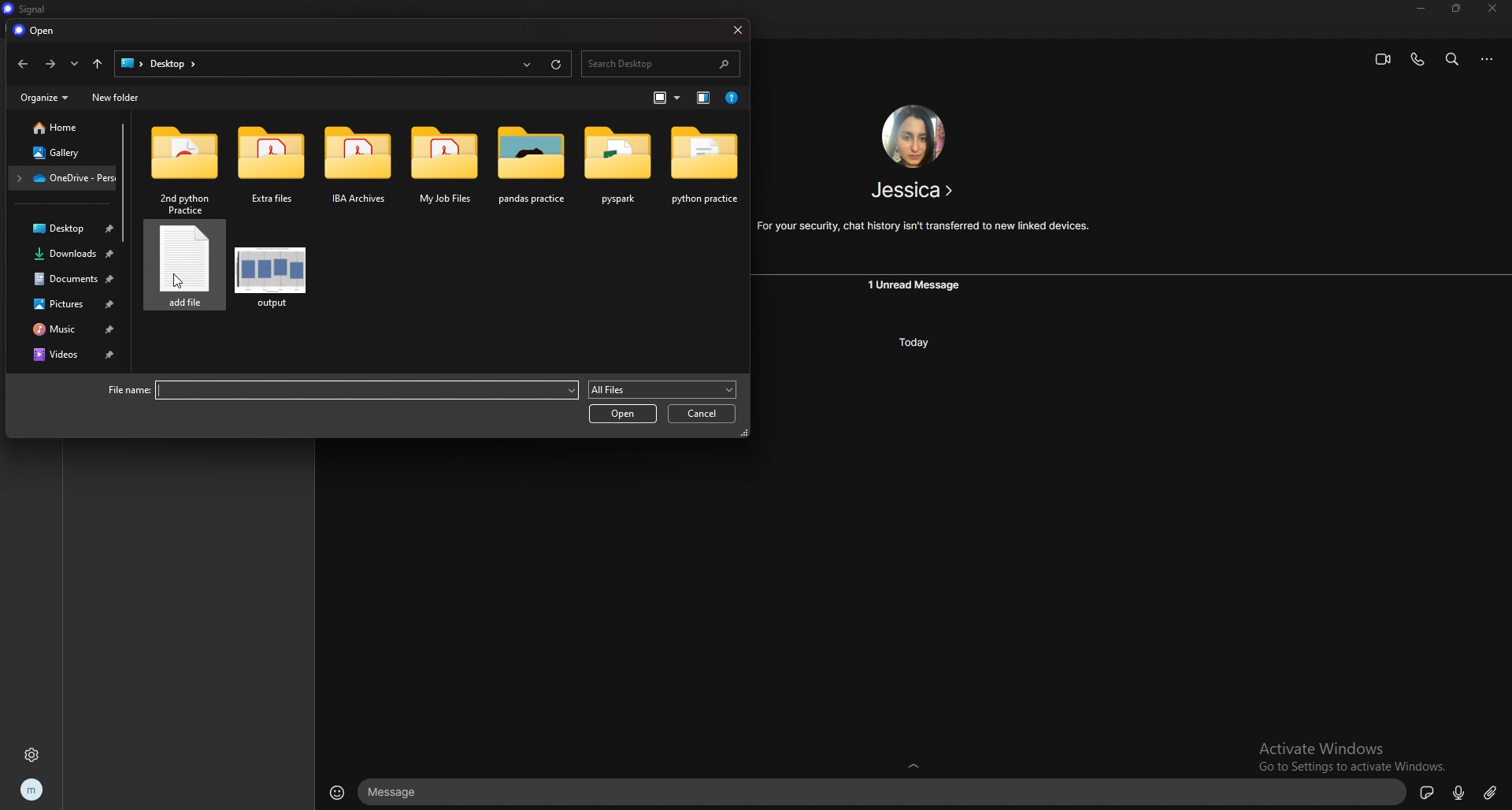 The image size is (1512, 810). I want to click on folder, so click(447, 169).